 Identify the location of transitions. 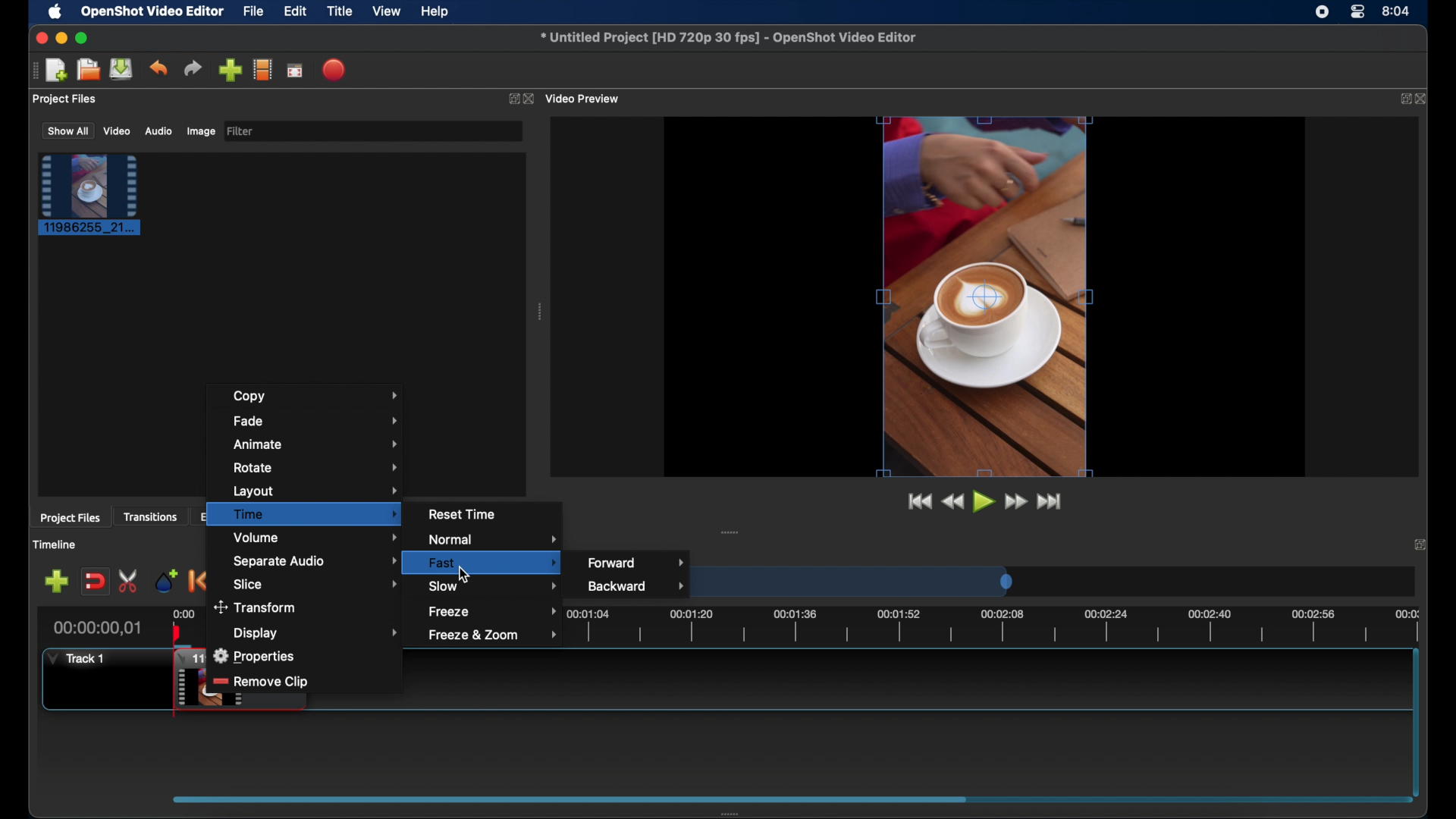
(150, 518).